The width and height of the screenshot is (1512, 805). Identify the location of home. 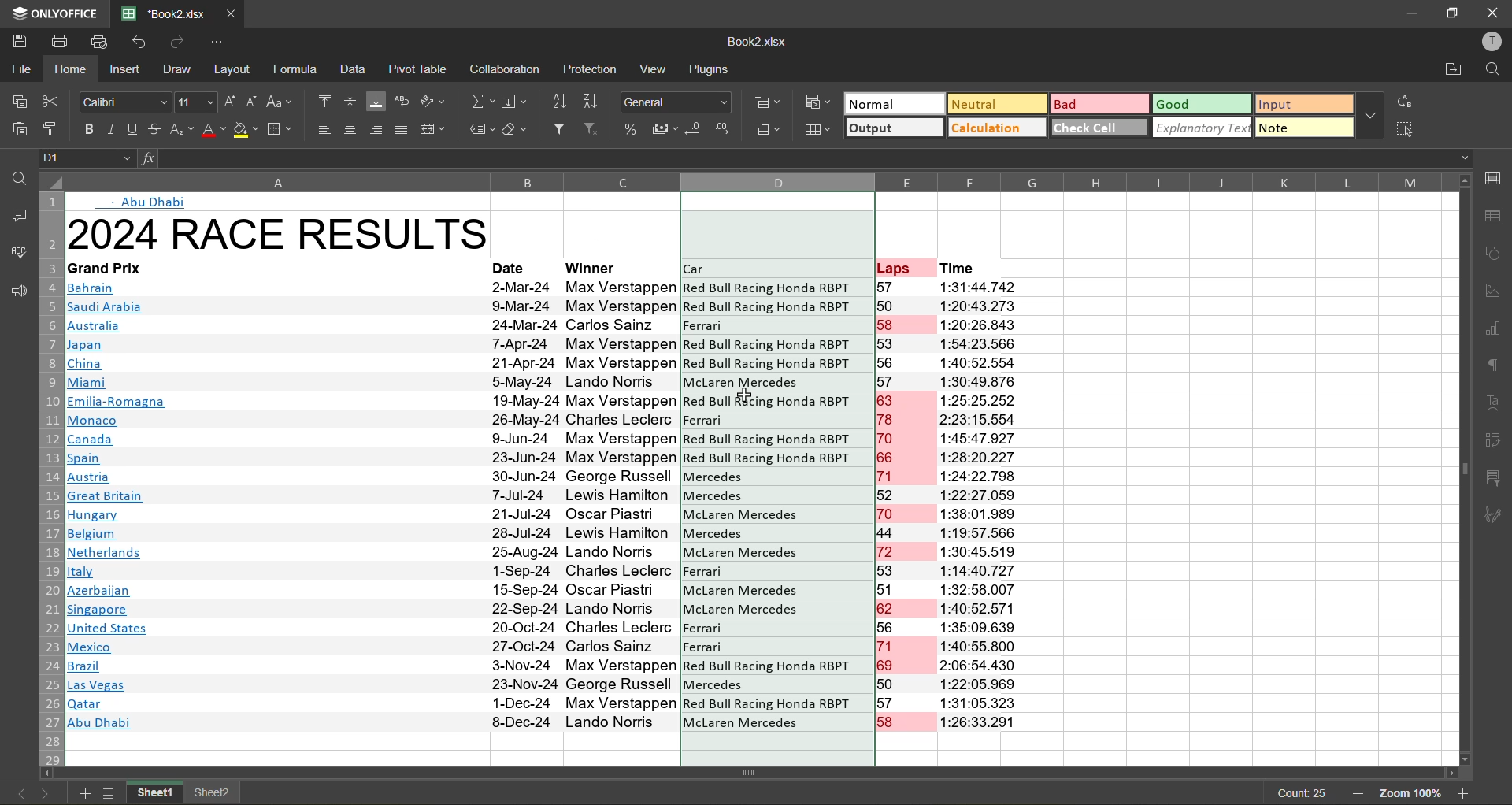
(72, 69).